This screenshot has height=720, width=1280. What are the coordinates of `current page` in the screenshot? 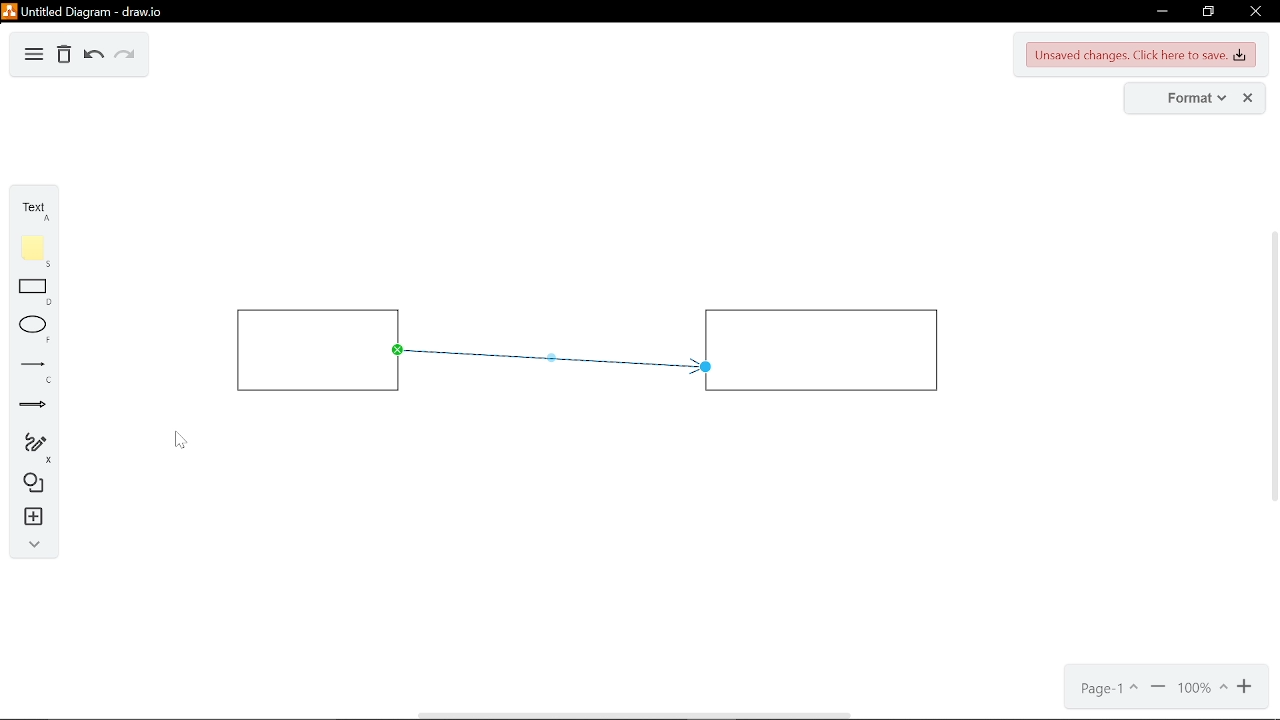 It's located at (1106, 691).